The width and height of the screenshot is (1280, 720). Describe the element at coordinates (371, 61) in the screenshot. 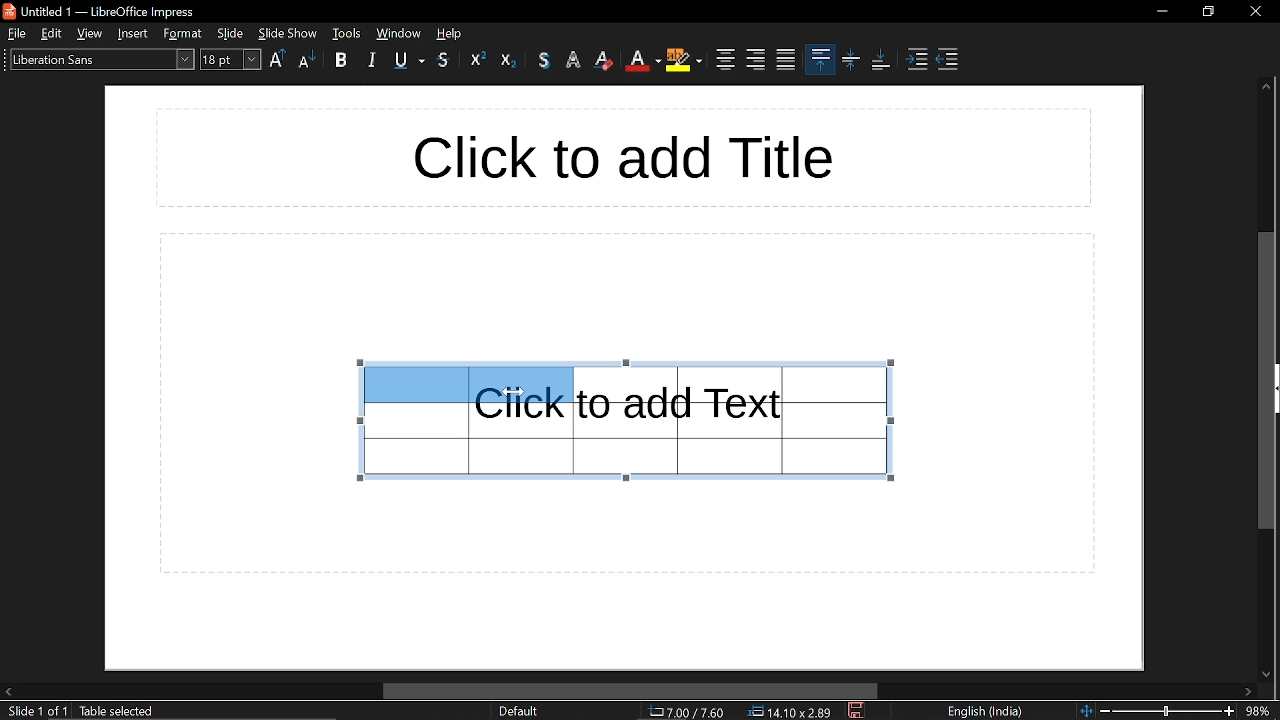

I see `italic` at that location.